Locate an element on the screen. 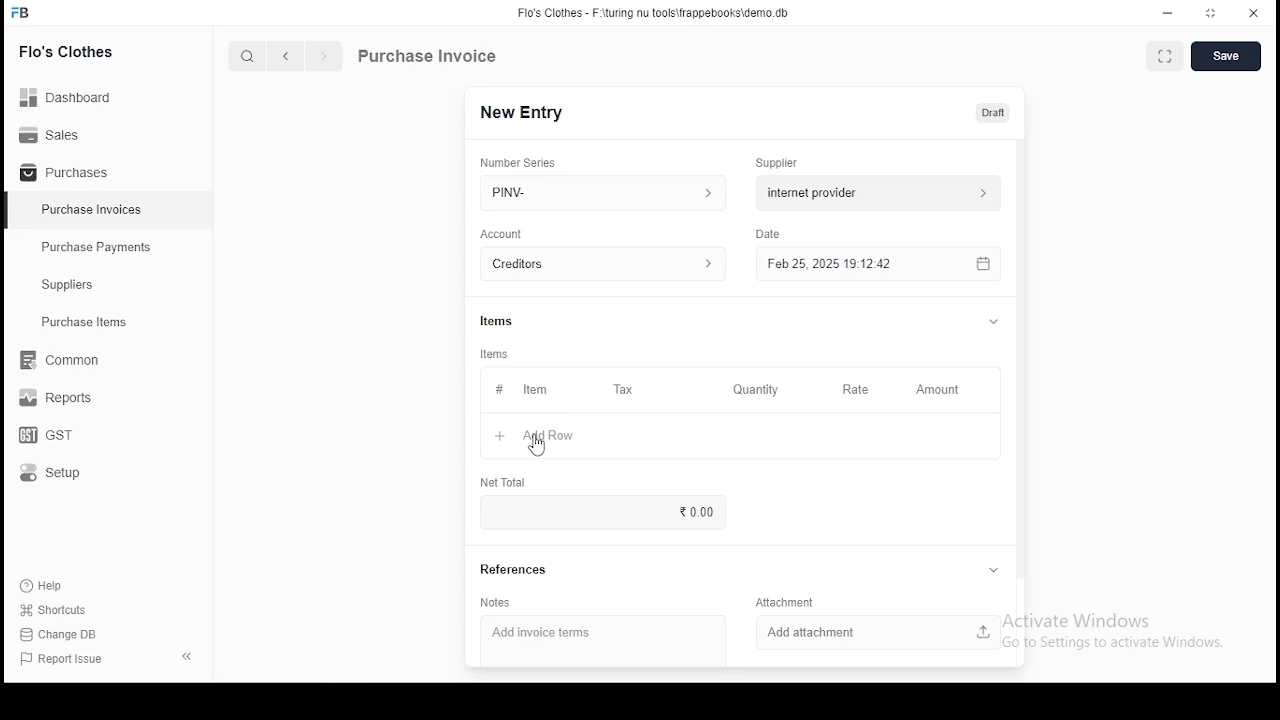 This screenshot has width=1280, height=720. net total is located at coordinates (502, 481).